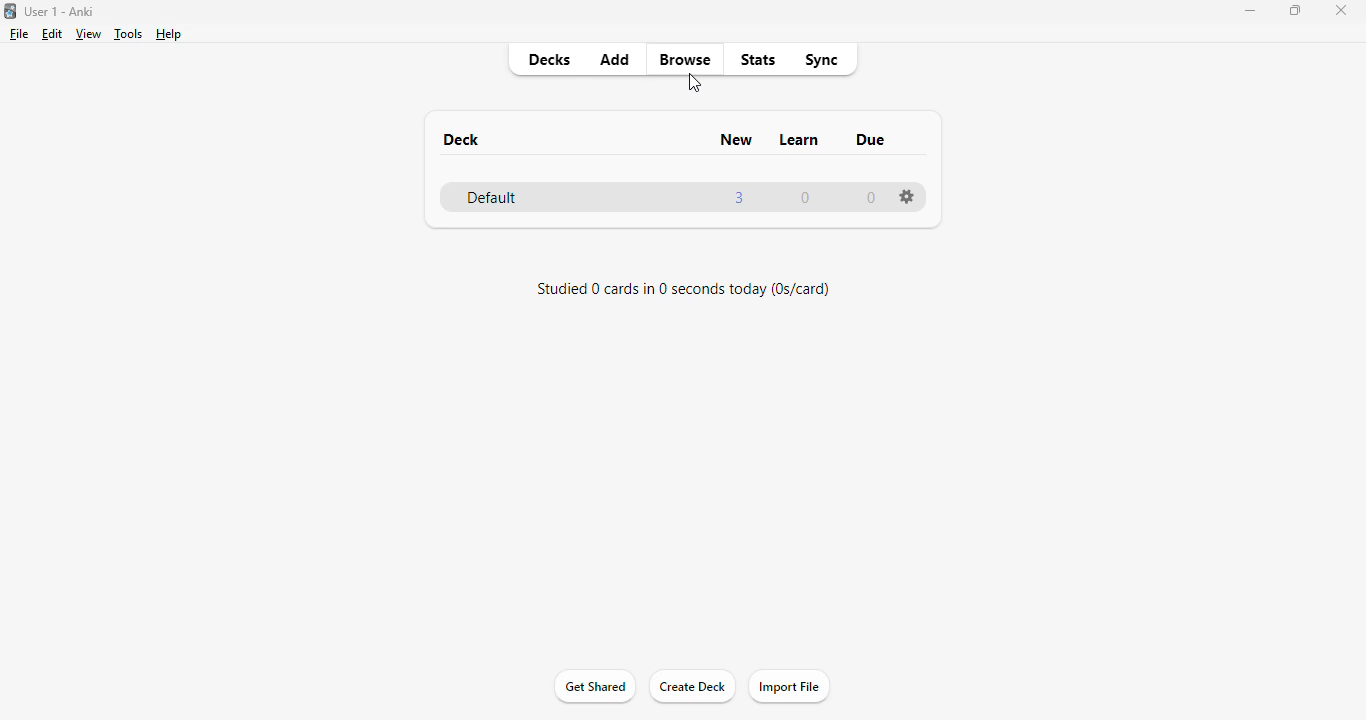 This screenshot has height=720, width=1366. Describe the element at coordinates (616, 59) in the screenshot. I see `add` at that location.